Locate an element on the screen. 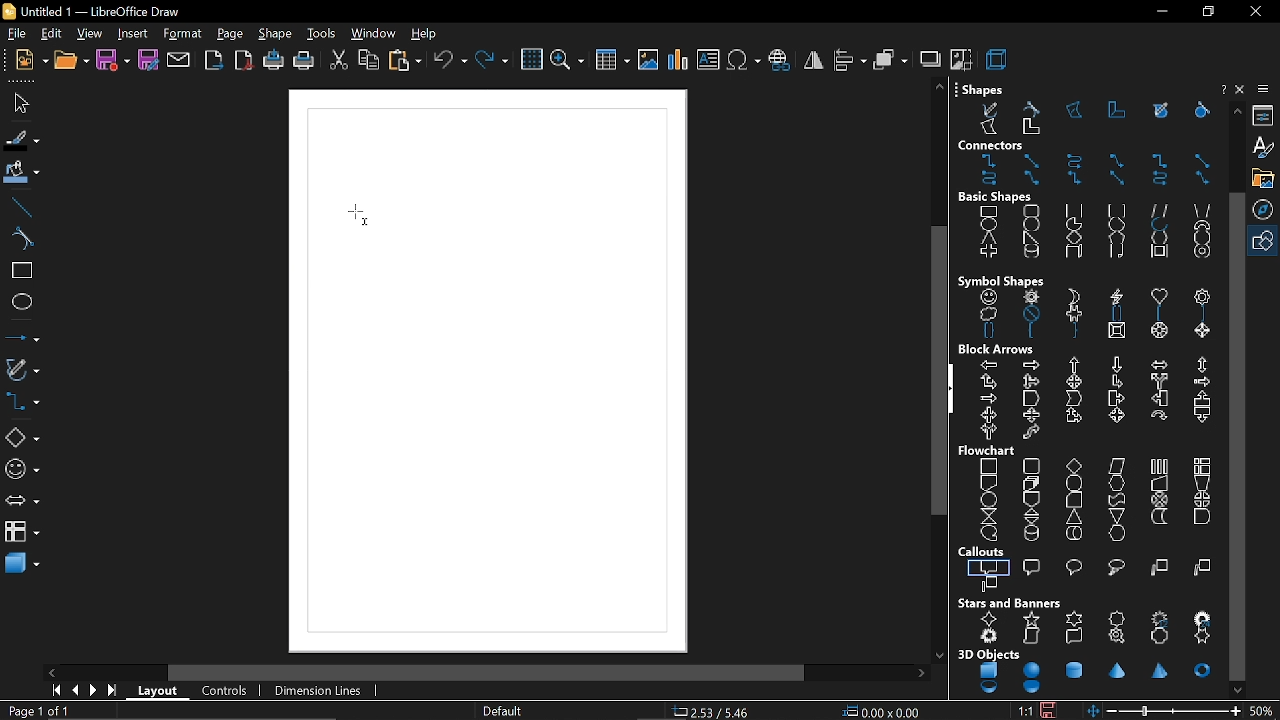  sidebar settings is located at coordinates (1264, 91).